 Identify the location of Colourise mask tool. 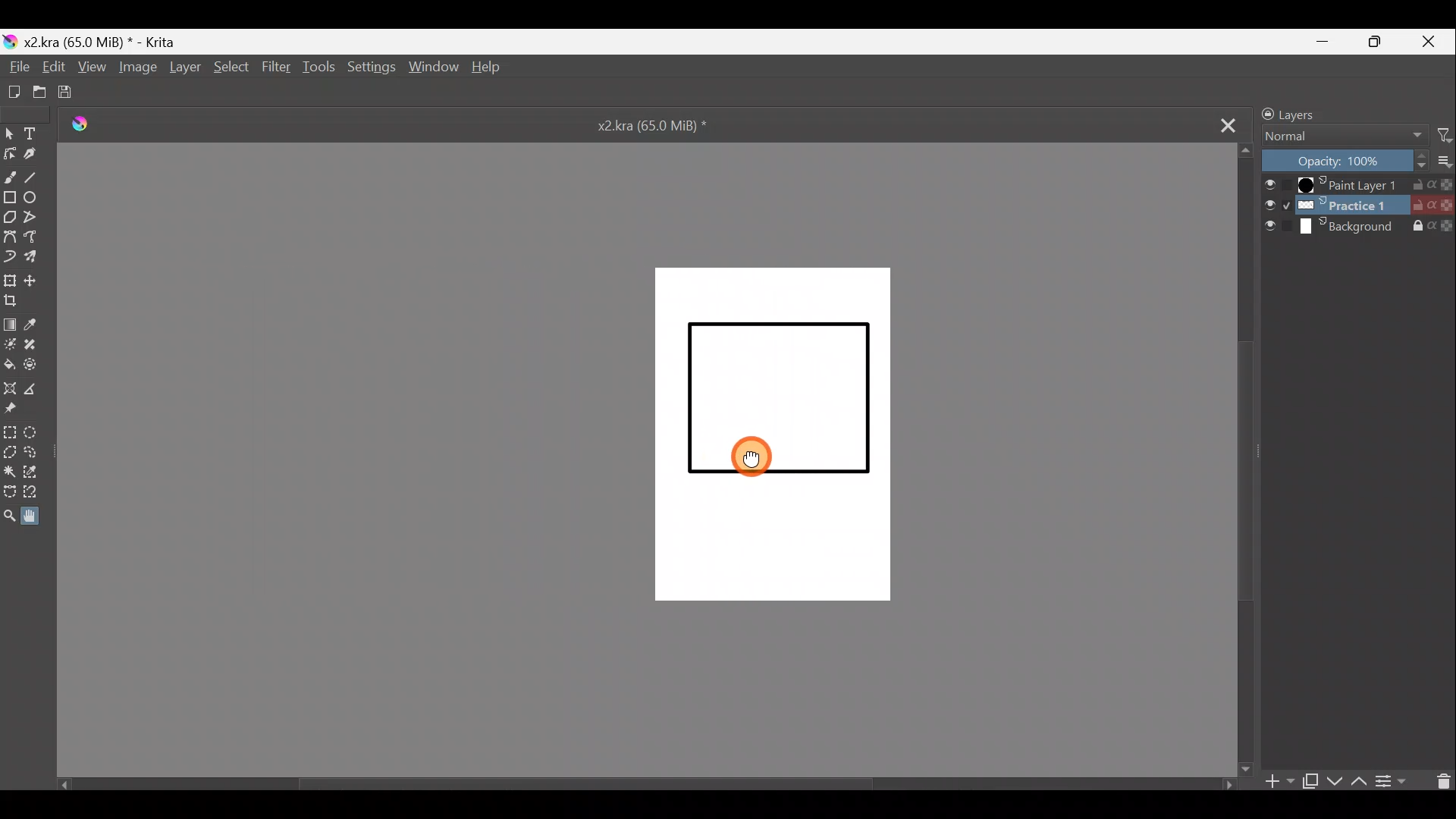
(9, 343).